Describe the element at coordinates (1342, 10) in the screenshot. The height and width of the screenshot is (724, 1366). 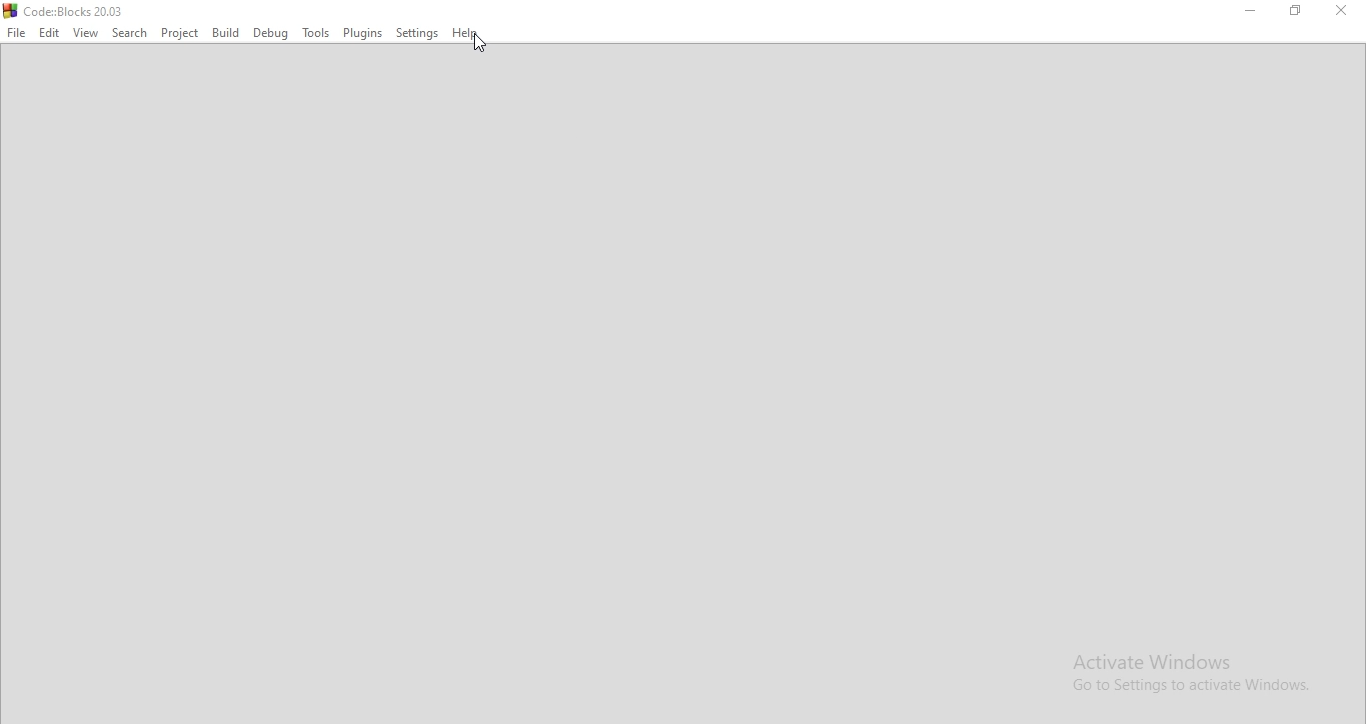
I see `Close` at that location.